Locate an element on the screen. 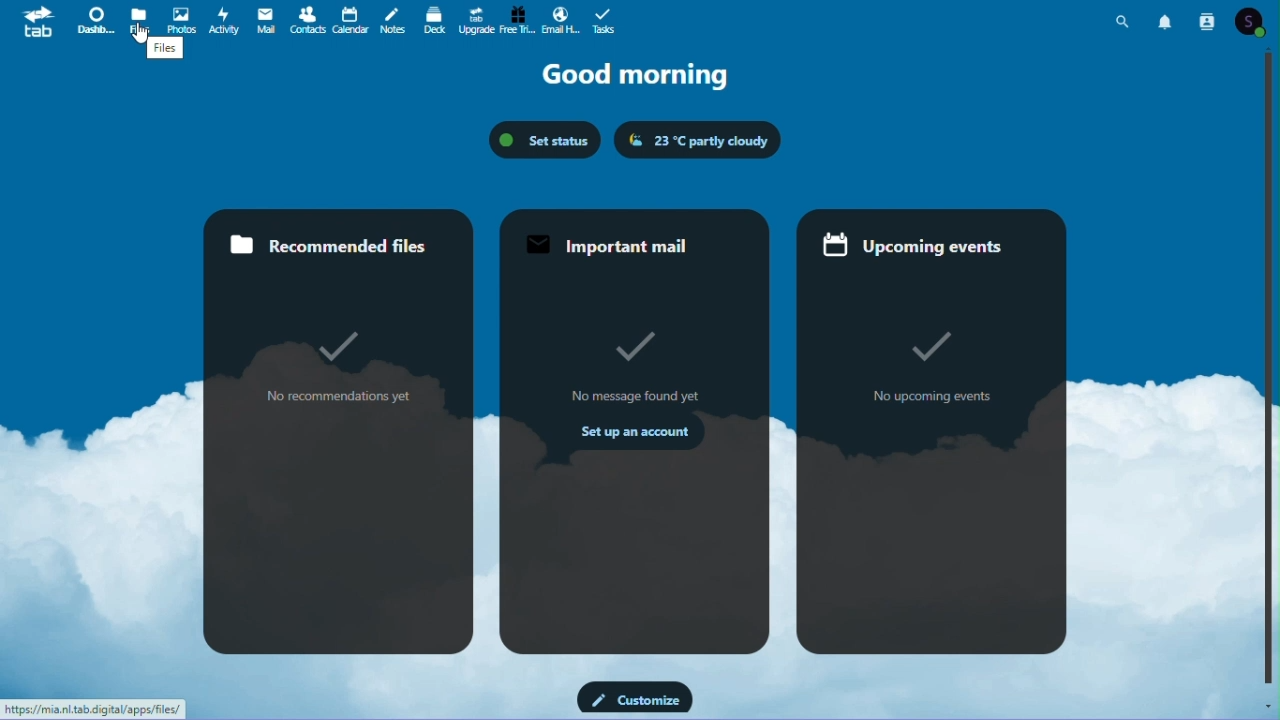 This screenshot has height=720, width=1280. Activity is located at coordinates (225, 19).